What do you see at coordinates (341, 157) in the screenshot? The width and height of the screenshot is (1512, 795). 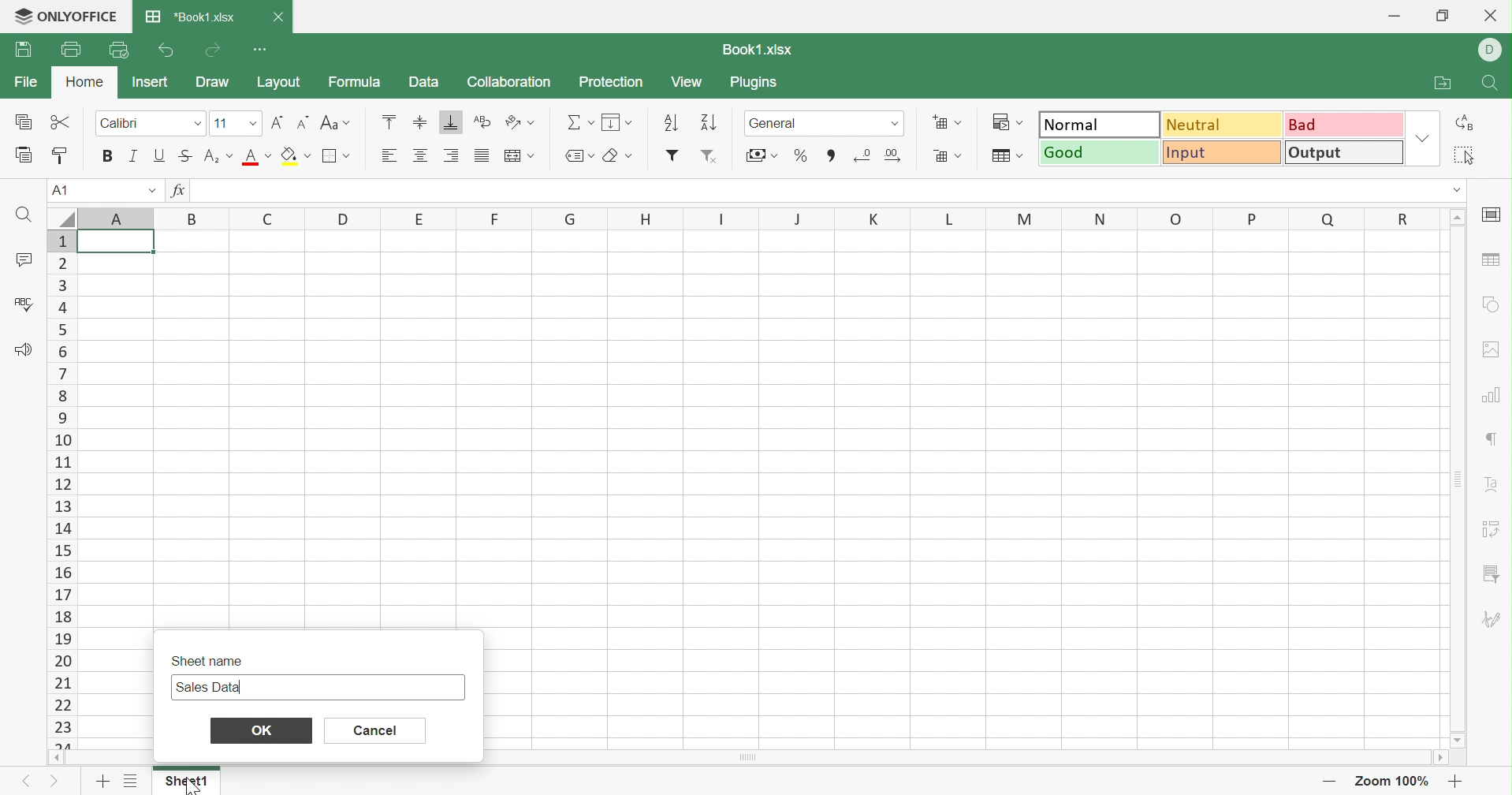 I see `Borders` at bounding box center [341, 157].